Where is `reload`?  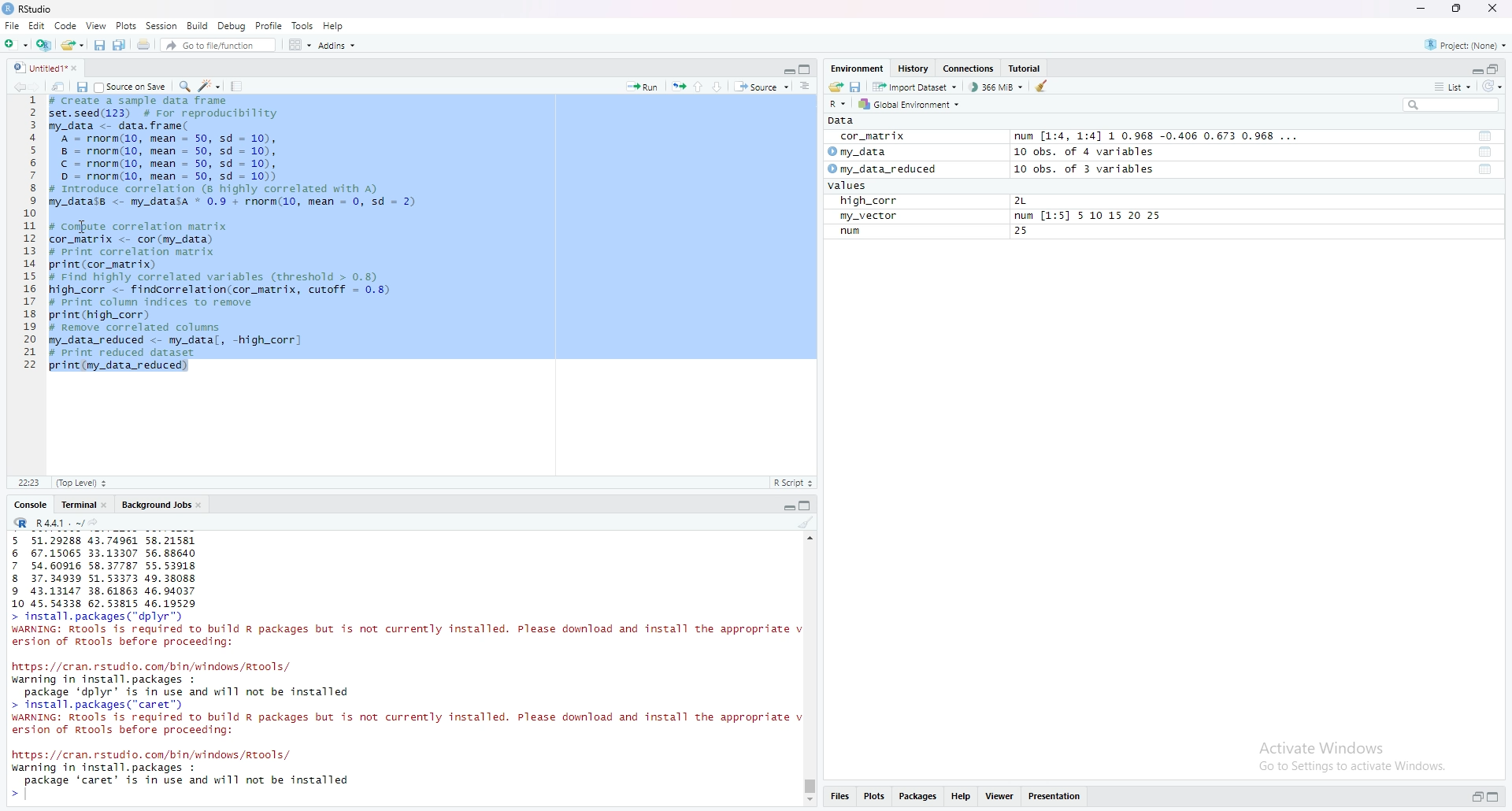
reload is located at coordinates (1492, 87).